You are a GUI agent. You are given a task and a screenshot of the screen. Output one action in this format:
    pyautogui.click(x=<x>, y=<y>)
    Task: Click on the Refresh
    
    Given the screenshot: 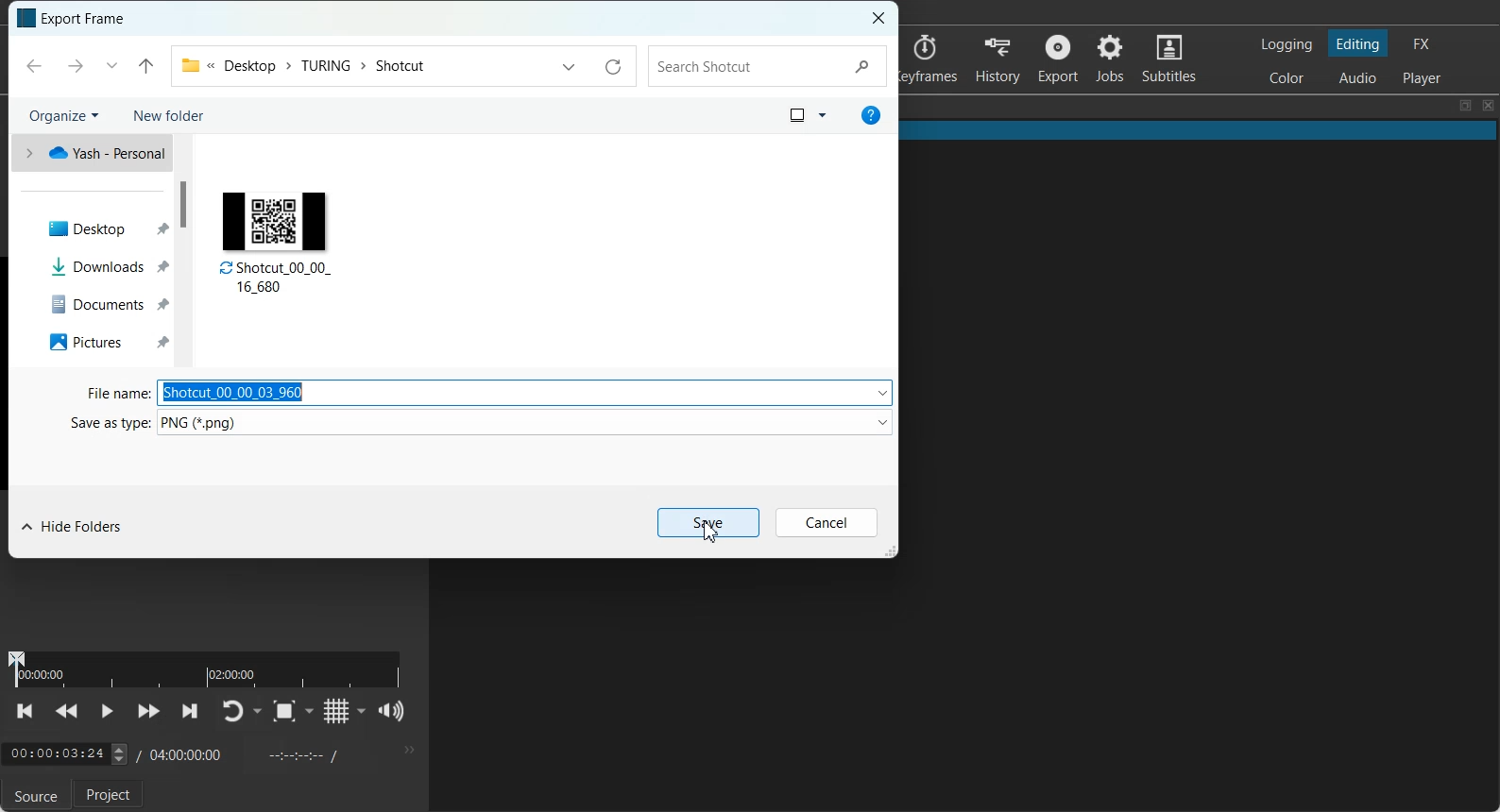 What is the action you would take?
    pyautogui.click(x=612, y=67)
    